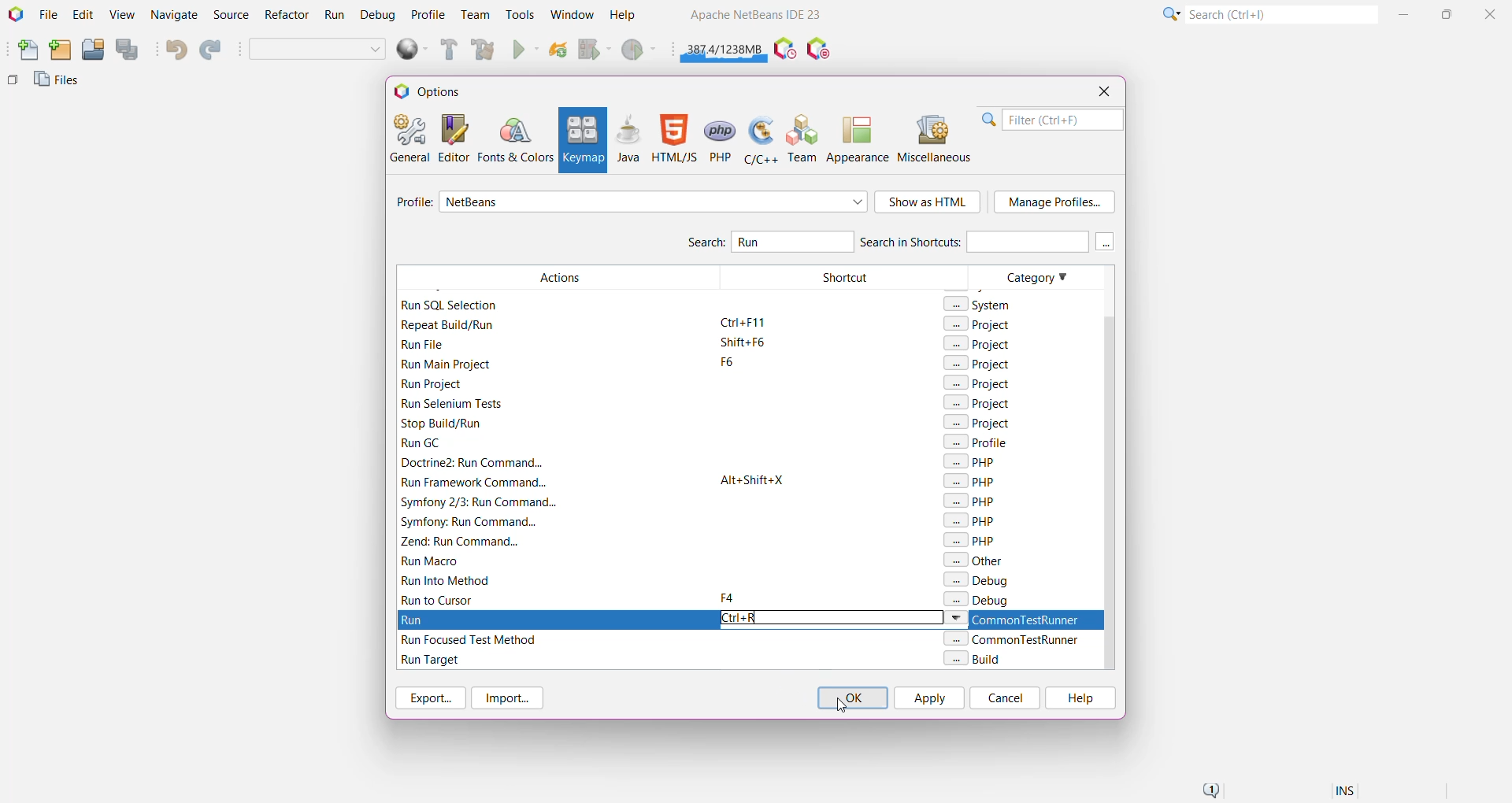 The image size is (1512, 803). What do you see at coordinates (59, 83) in the screenshot?
I see `Files` at bounding box center [59, 83].